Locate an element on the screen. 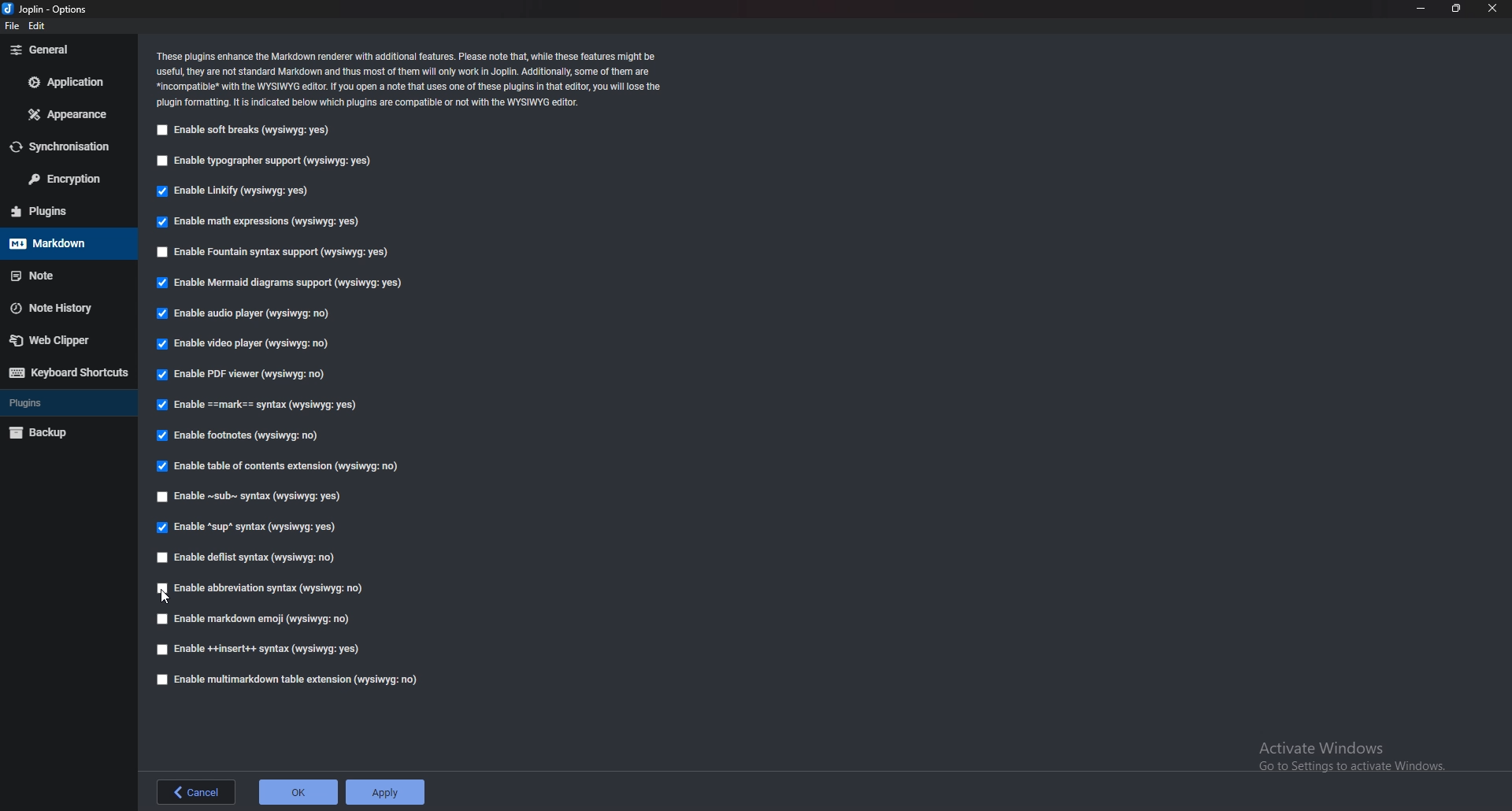 This screenshot has height=811, width=1512. Enable “sup” syntax (wysiwyg: yes) is located at coordinates (247, 527).